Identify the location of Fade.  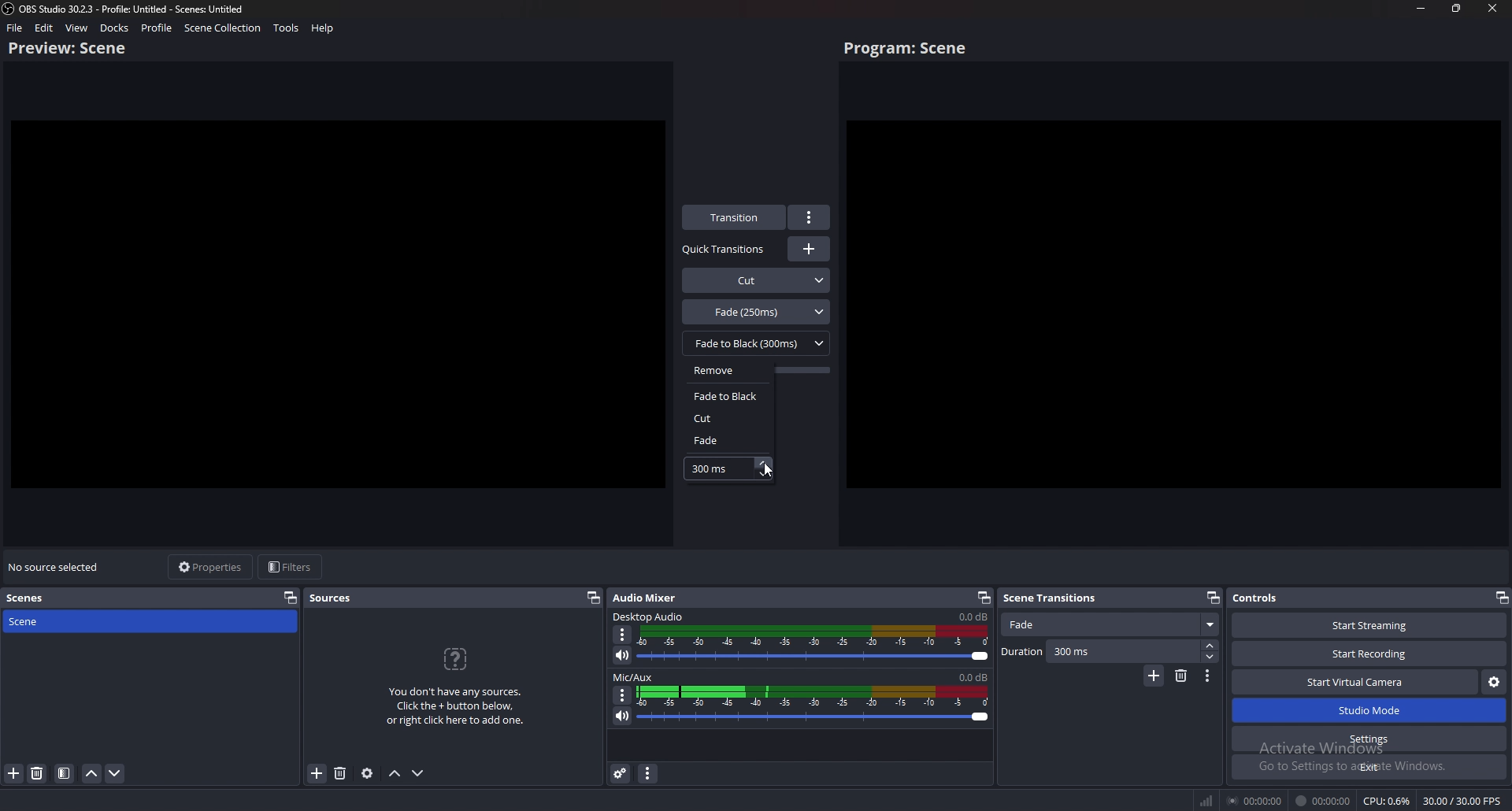
(1112, 625).